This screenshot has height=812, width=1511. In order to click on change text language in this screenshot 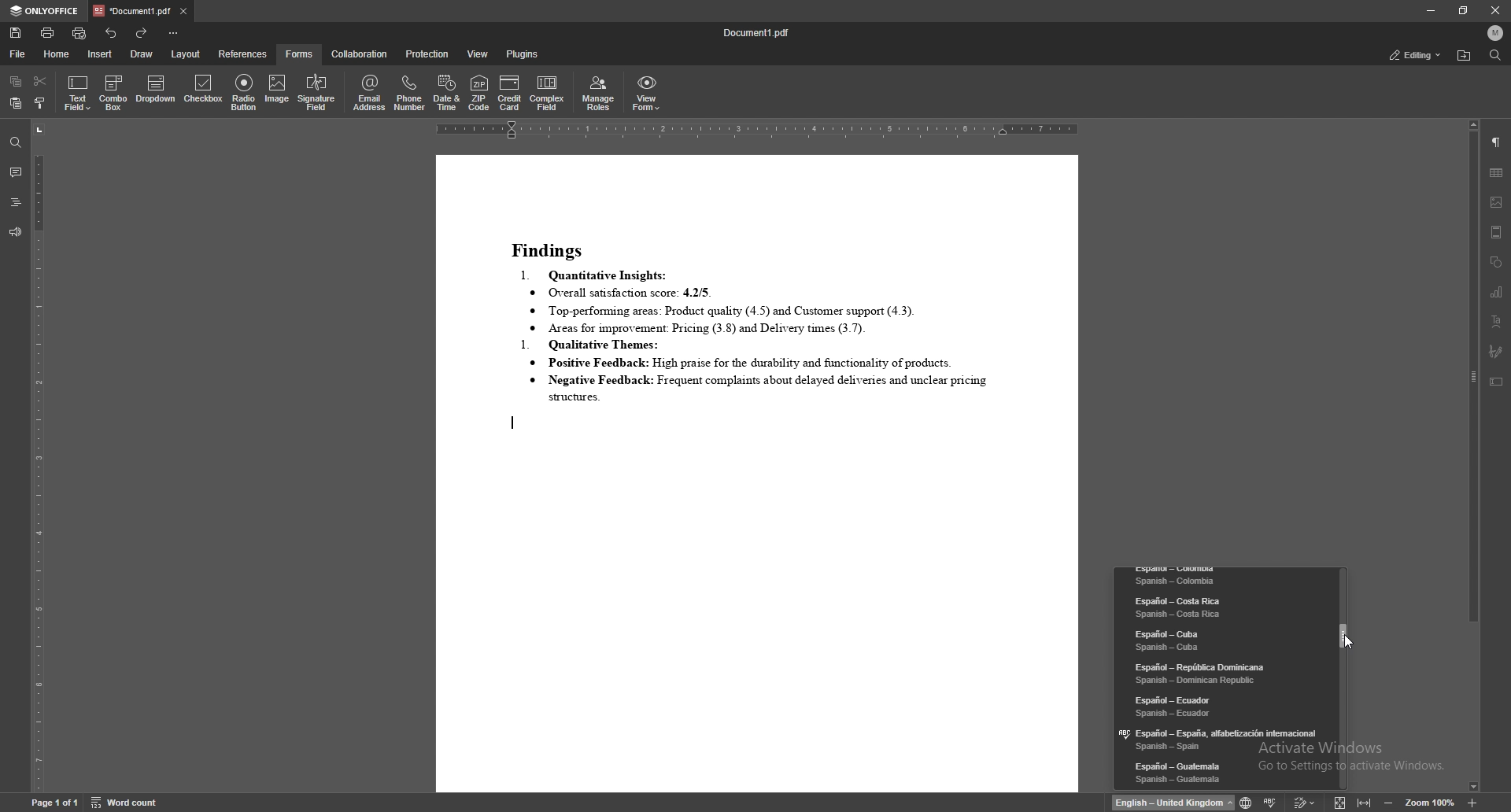, I will do `click(1173, 803)`.